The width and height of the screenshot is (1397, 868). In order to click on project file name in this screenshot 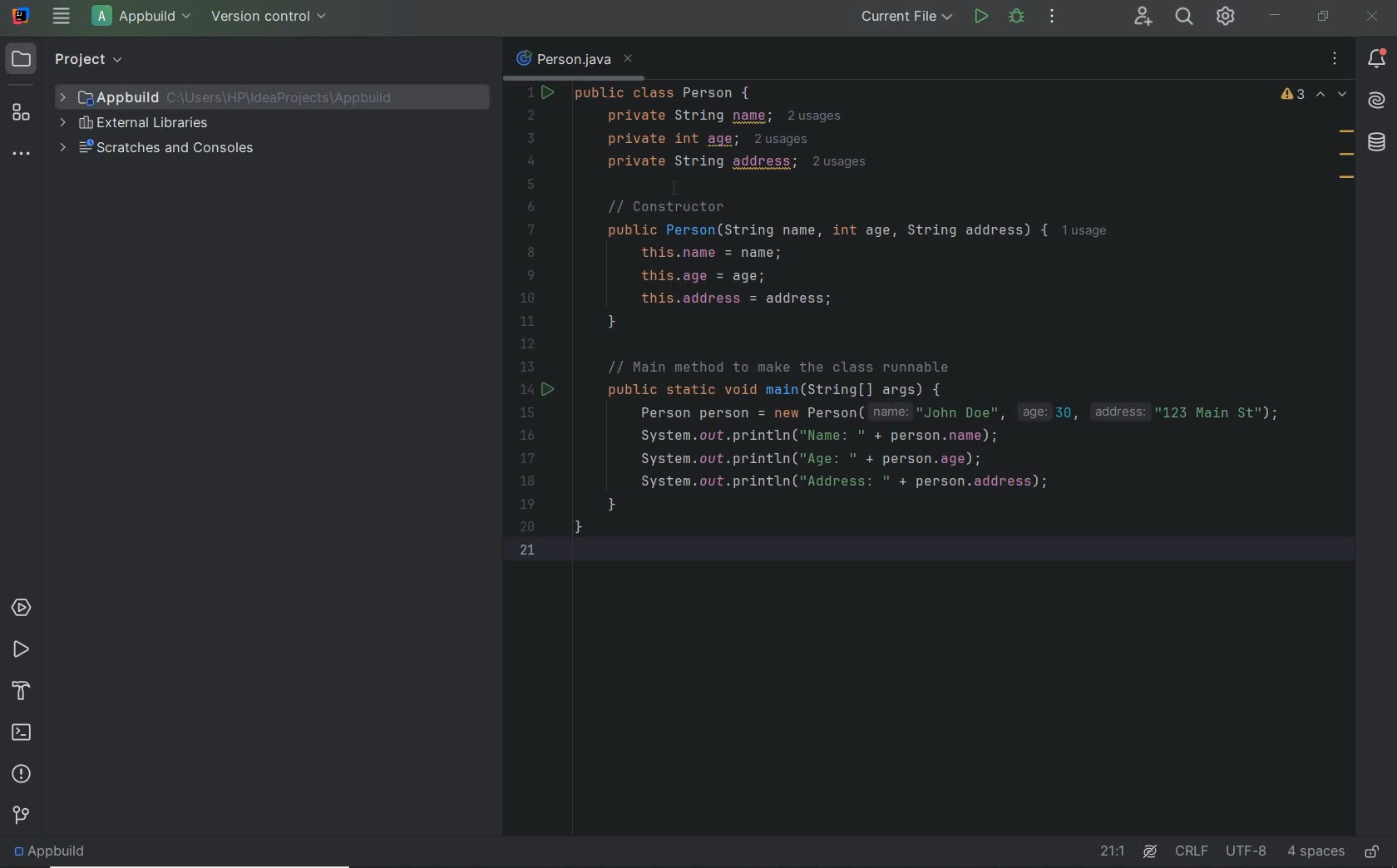, I will do `click(145, 18)`.